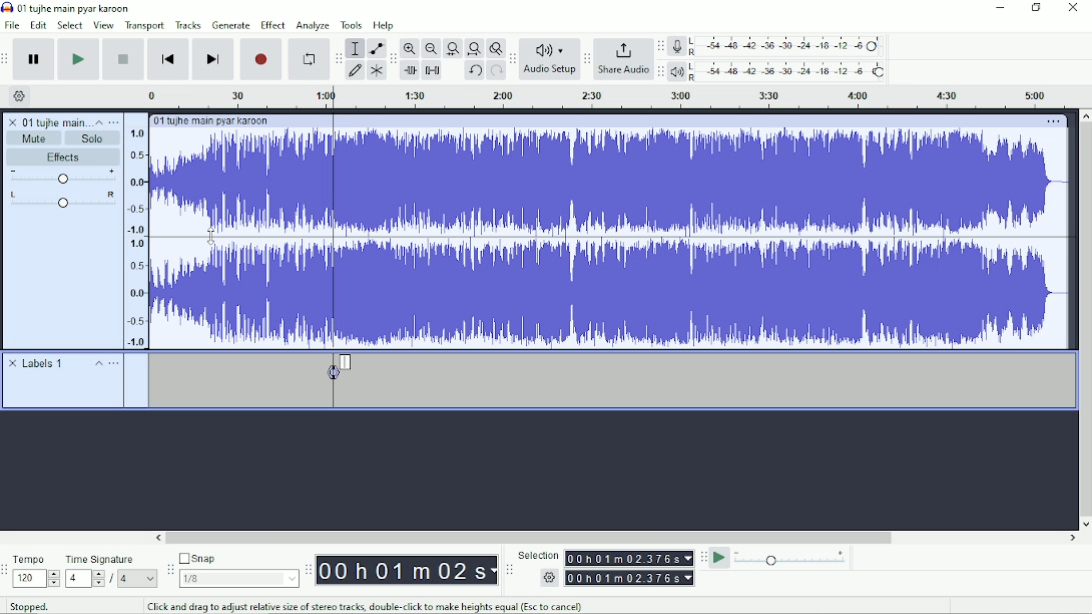 This screenshot has width=1092, height=614. Describe the element at coordinates (661, 46) in the screenshot. I see `Audacity record meter toolbar` at that location.